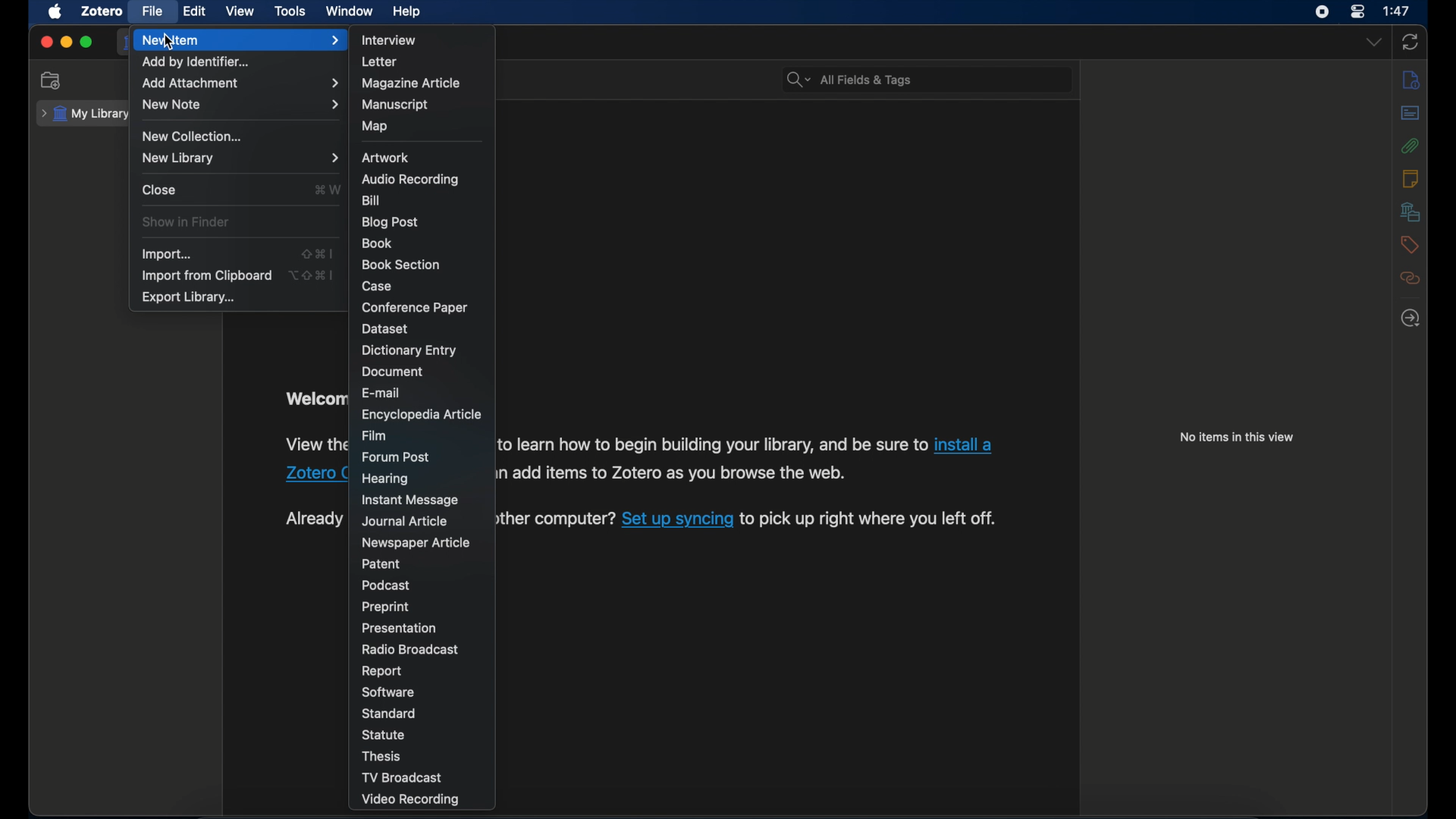 The image size is (1456, 819). Describe the element at coordinates (397, 105) in the screenshot. I see `manuscript` at that location.